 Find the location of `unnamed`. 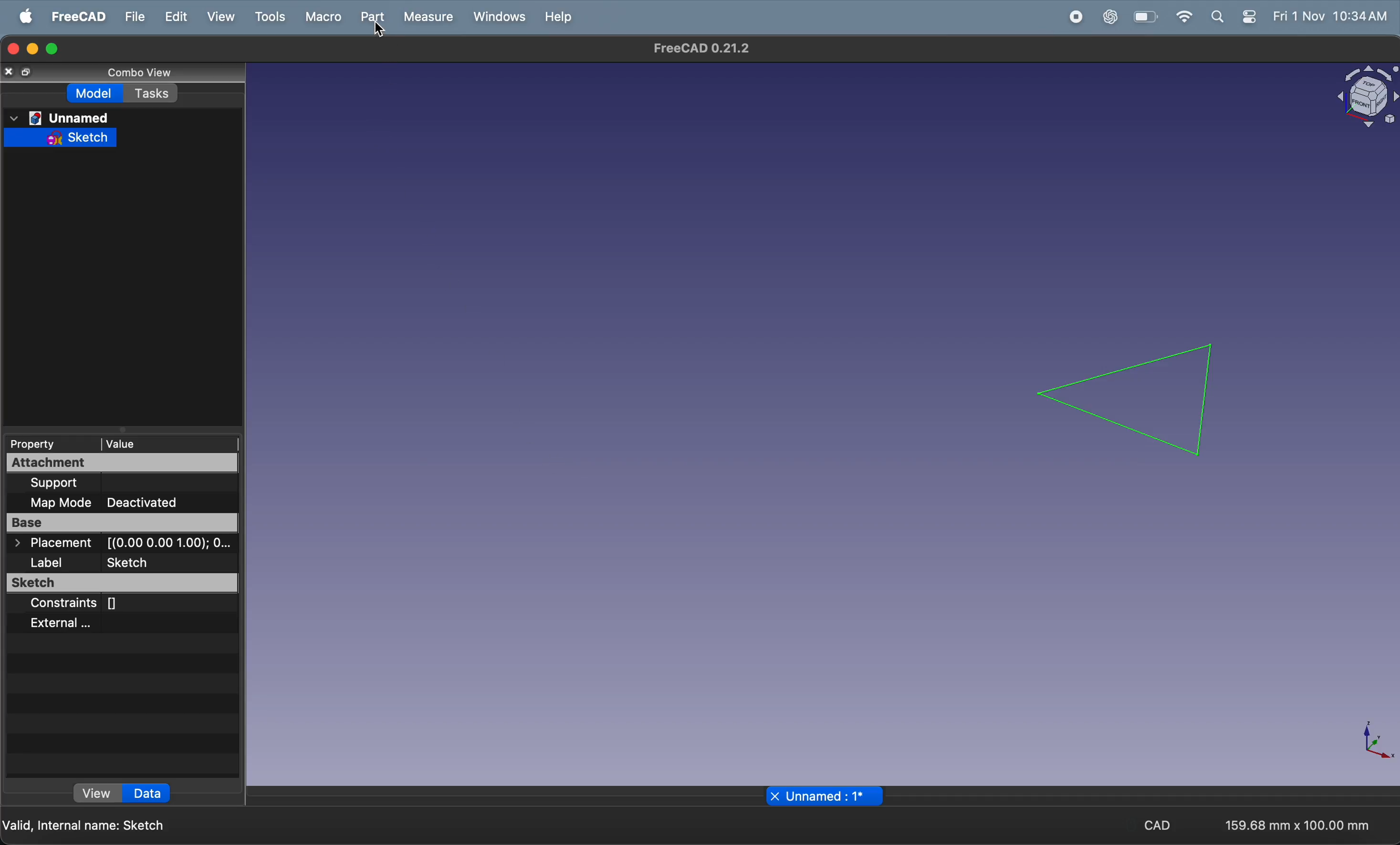

unnamed is located at coordinates (61, 116).